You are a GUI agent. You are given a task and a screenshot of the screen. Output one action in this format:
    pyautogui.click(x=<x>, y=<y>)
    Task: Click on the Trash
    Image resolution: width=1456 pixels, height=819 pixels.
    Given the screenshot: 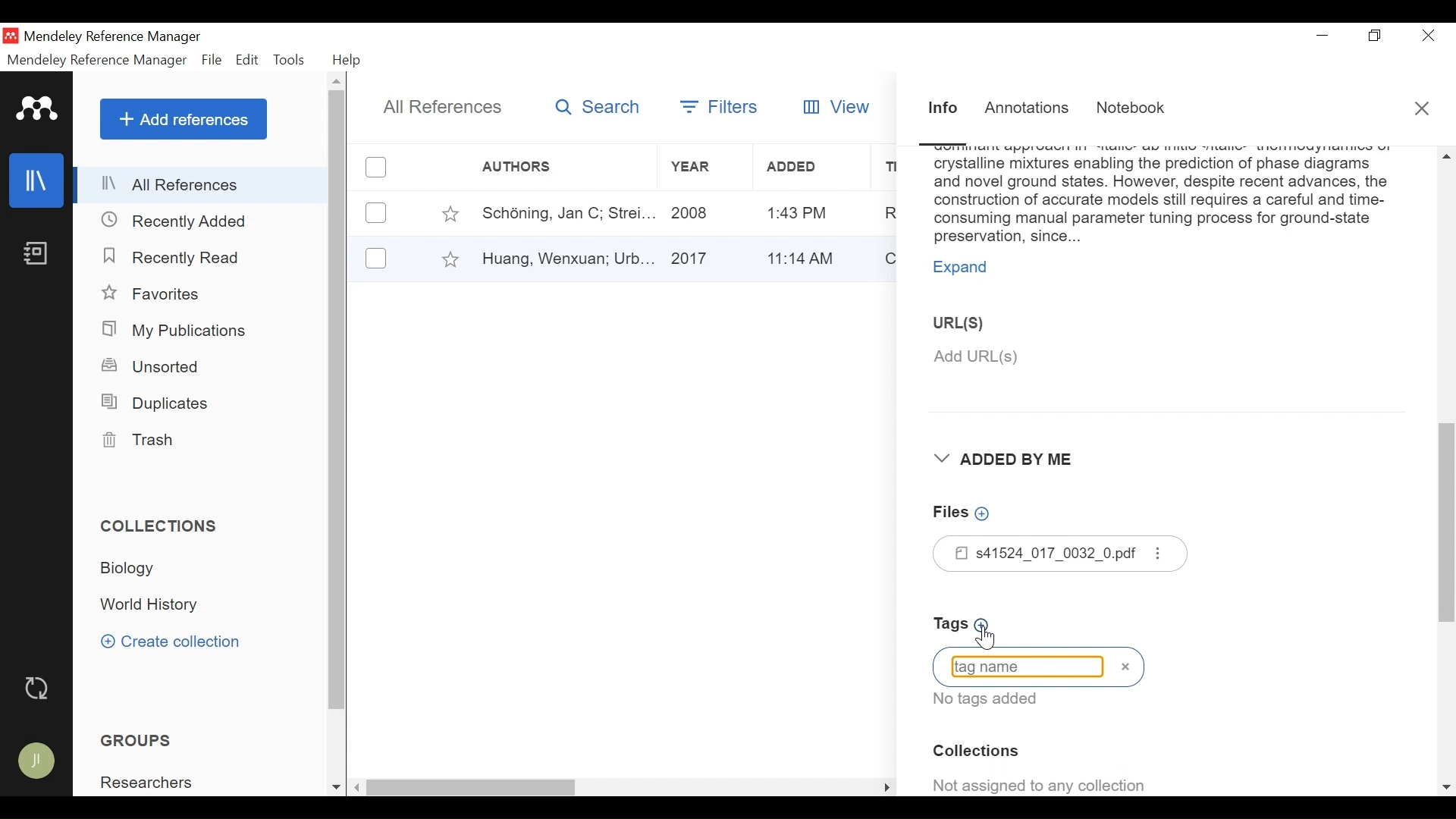 What is the action you would take?
    pyautogui.click(x=136, y=440)
    